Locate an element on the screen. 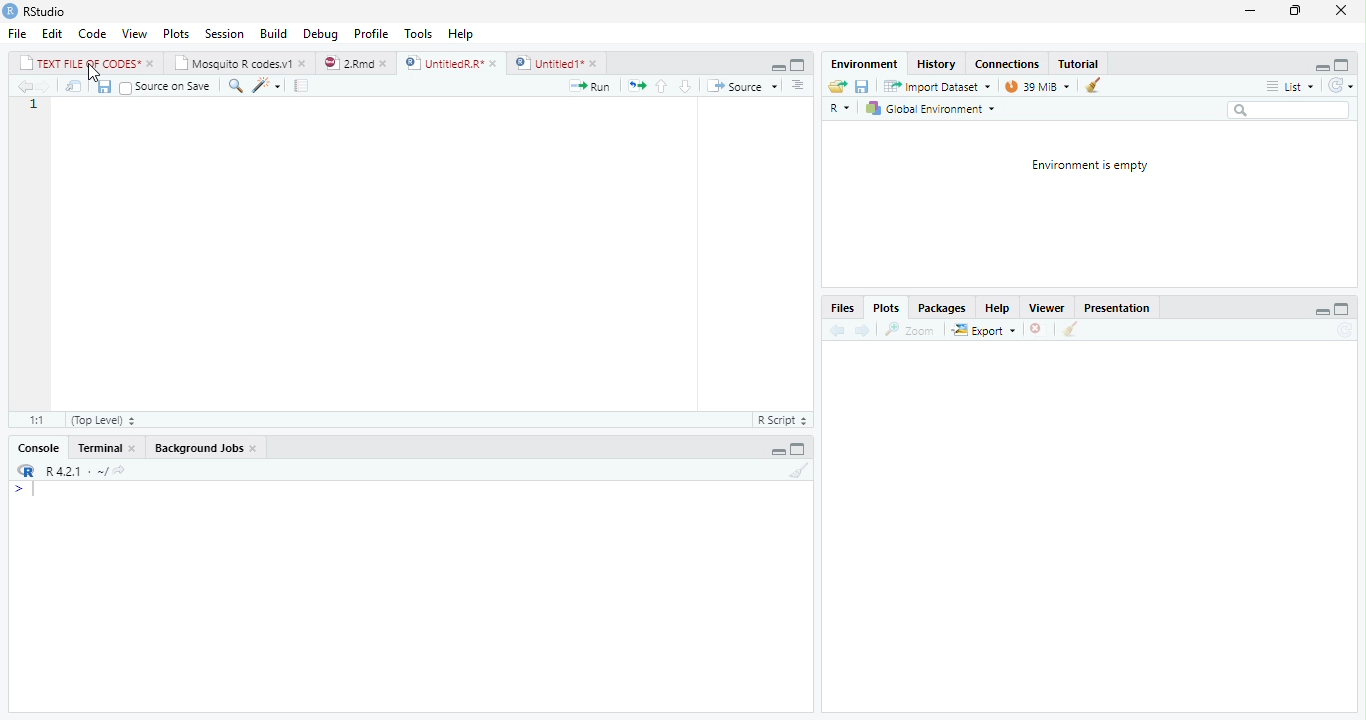  List is located at coordinates (1289, 85).